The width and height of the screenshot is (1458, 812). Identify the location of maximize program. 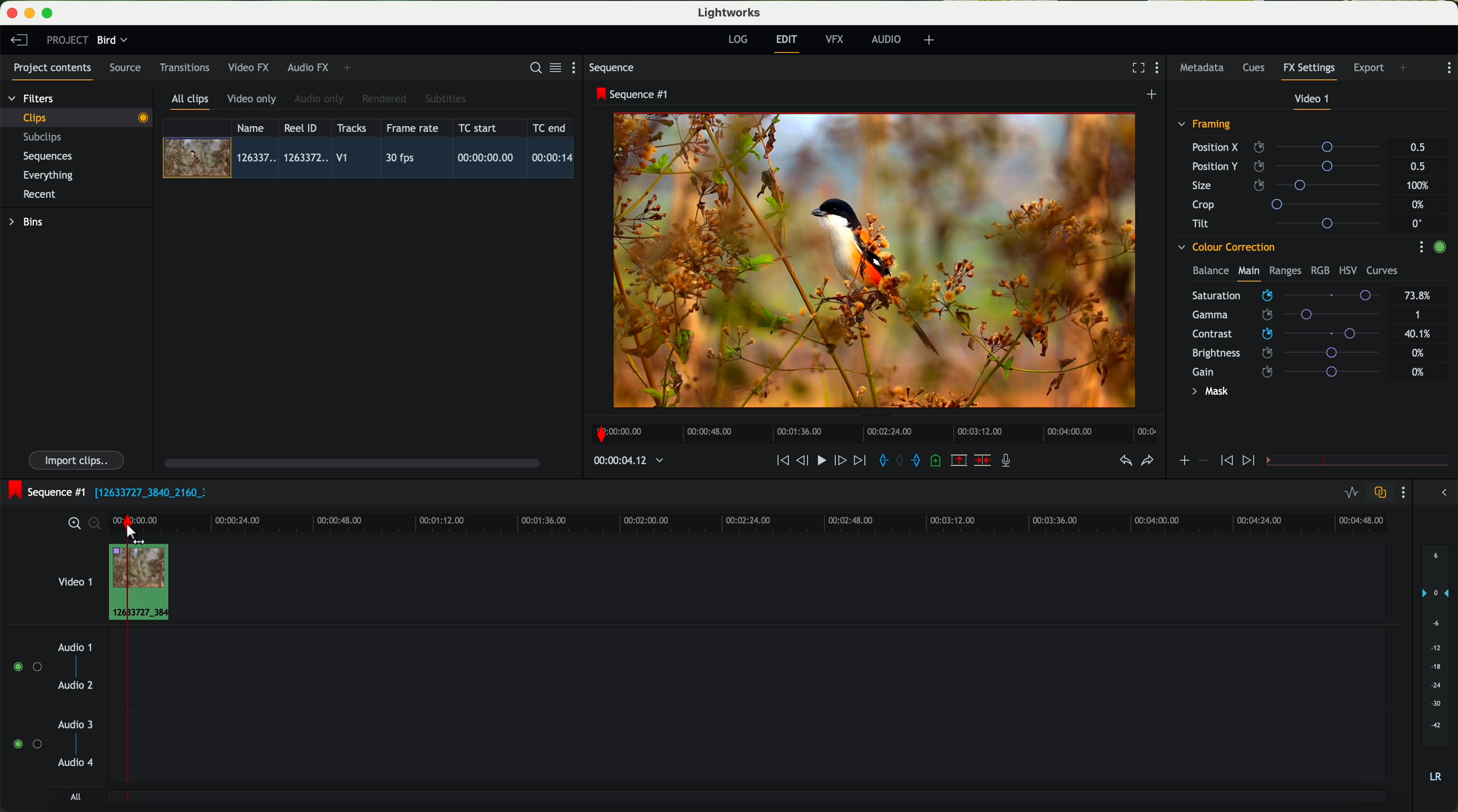
(49, 14).